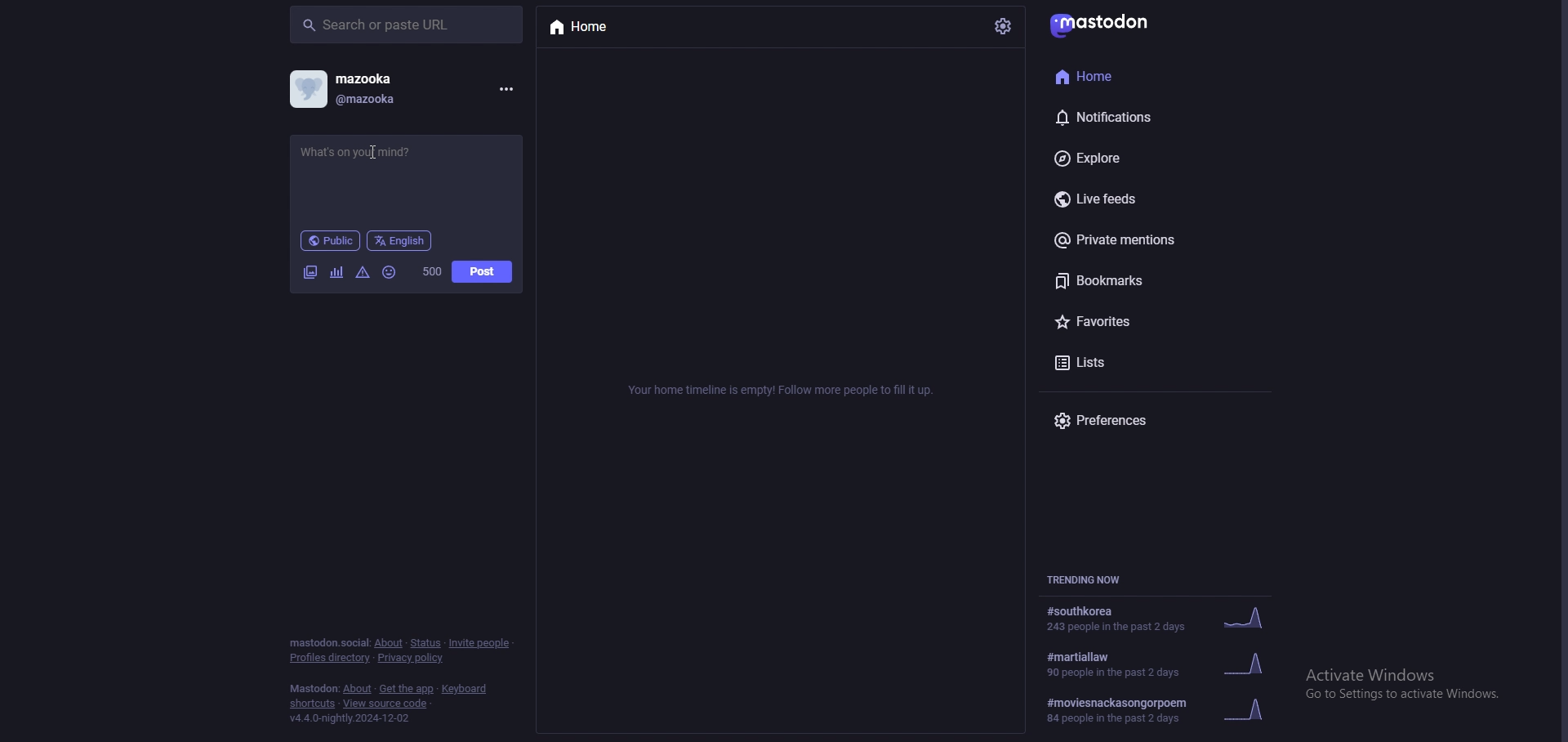 The height and width of the screenshot is (742, 1568). Describe the element at coordinates (1110, 23) in the screenshot. I see `mastodon` at that location.